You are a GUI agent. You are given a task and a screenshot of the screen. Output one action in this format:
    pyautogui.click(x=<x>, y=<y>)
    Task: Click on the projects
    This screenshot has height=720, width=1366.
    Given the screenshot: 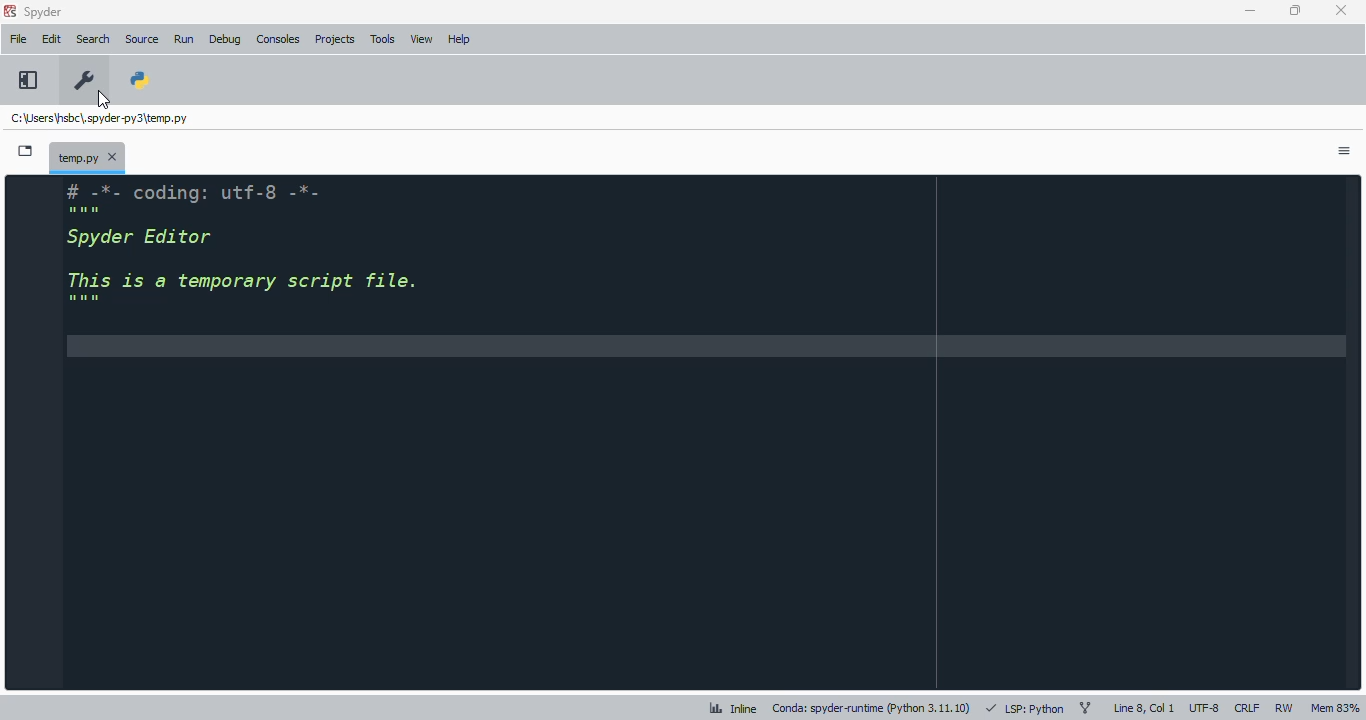 What is the action you would take?
    pyautogui.click(x=336, y=38)
    